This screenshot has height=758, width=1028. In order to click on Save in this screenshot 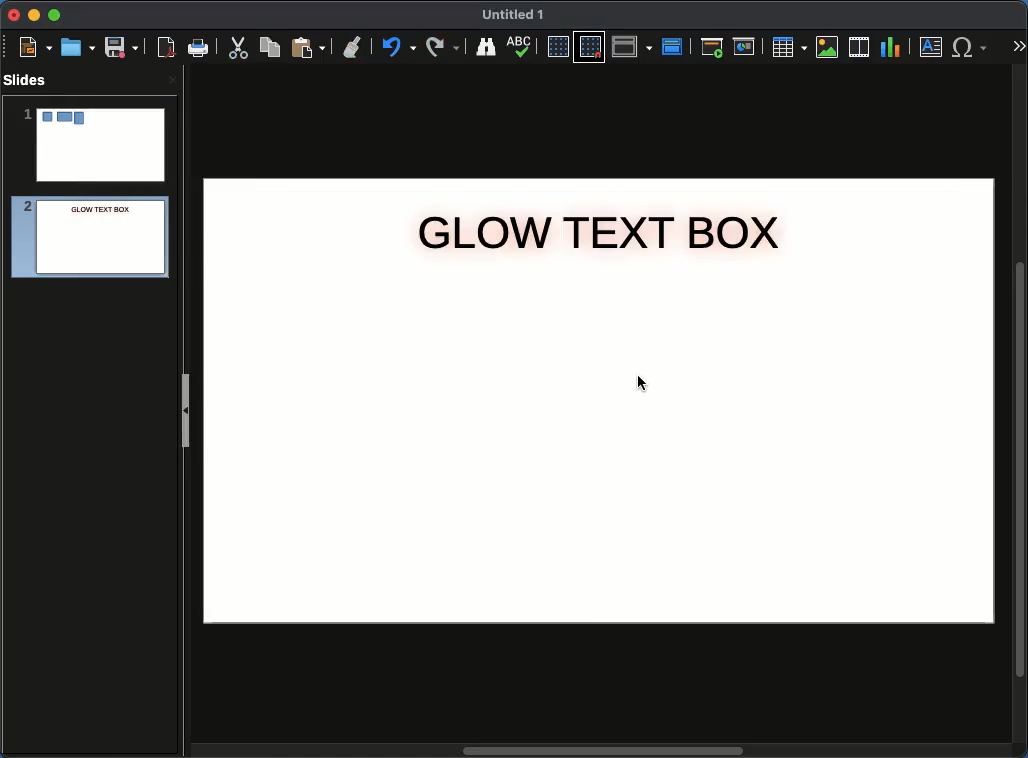, I will do `click(123, 46)`.